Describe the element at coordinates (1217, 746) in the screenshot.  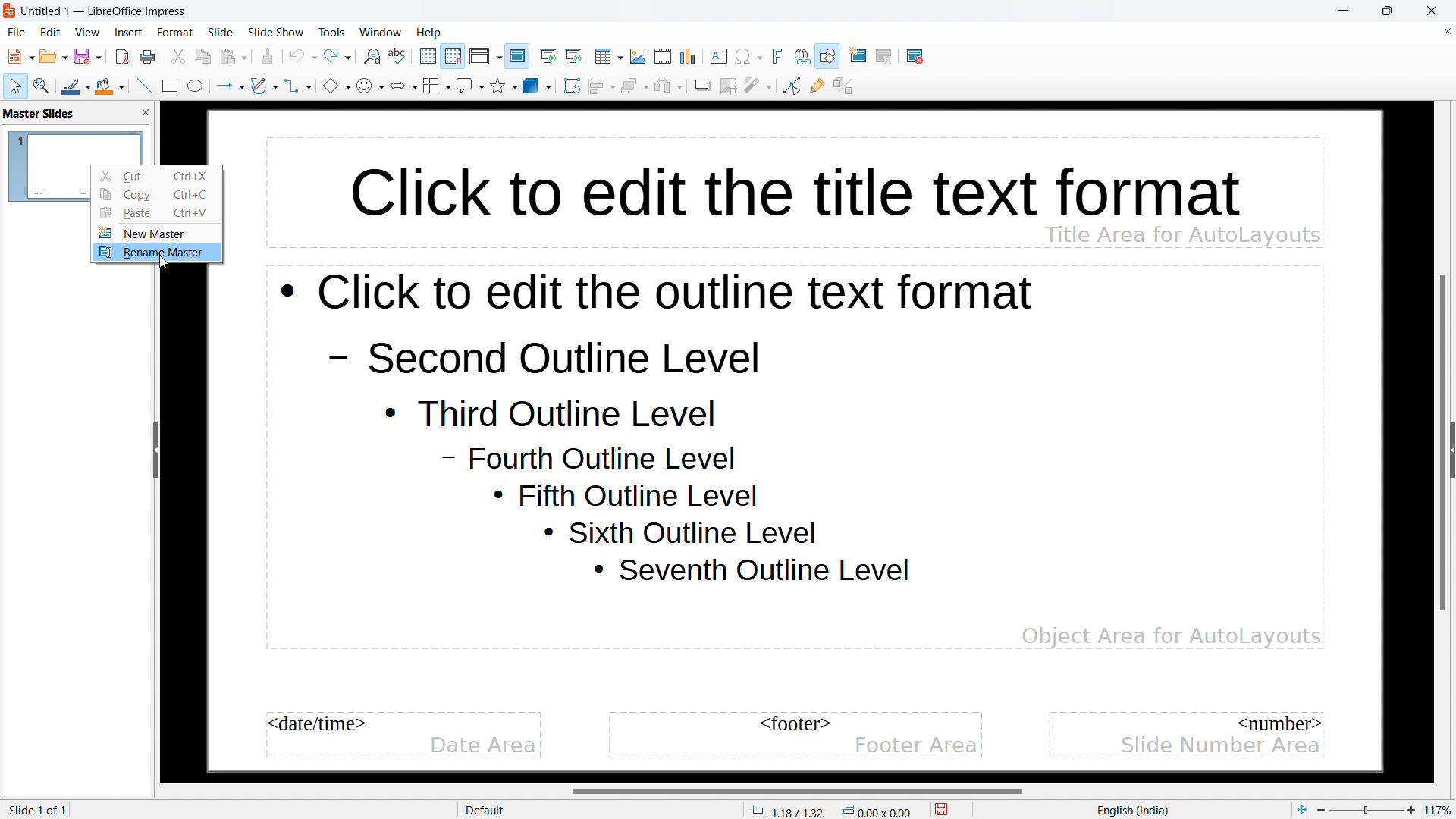
I see `slide number area` at that location.